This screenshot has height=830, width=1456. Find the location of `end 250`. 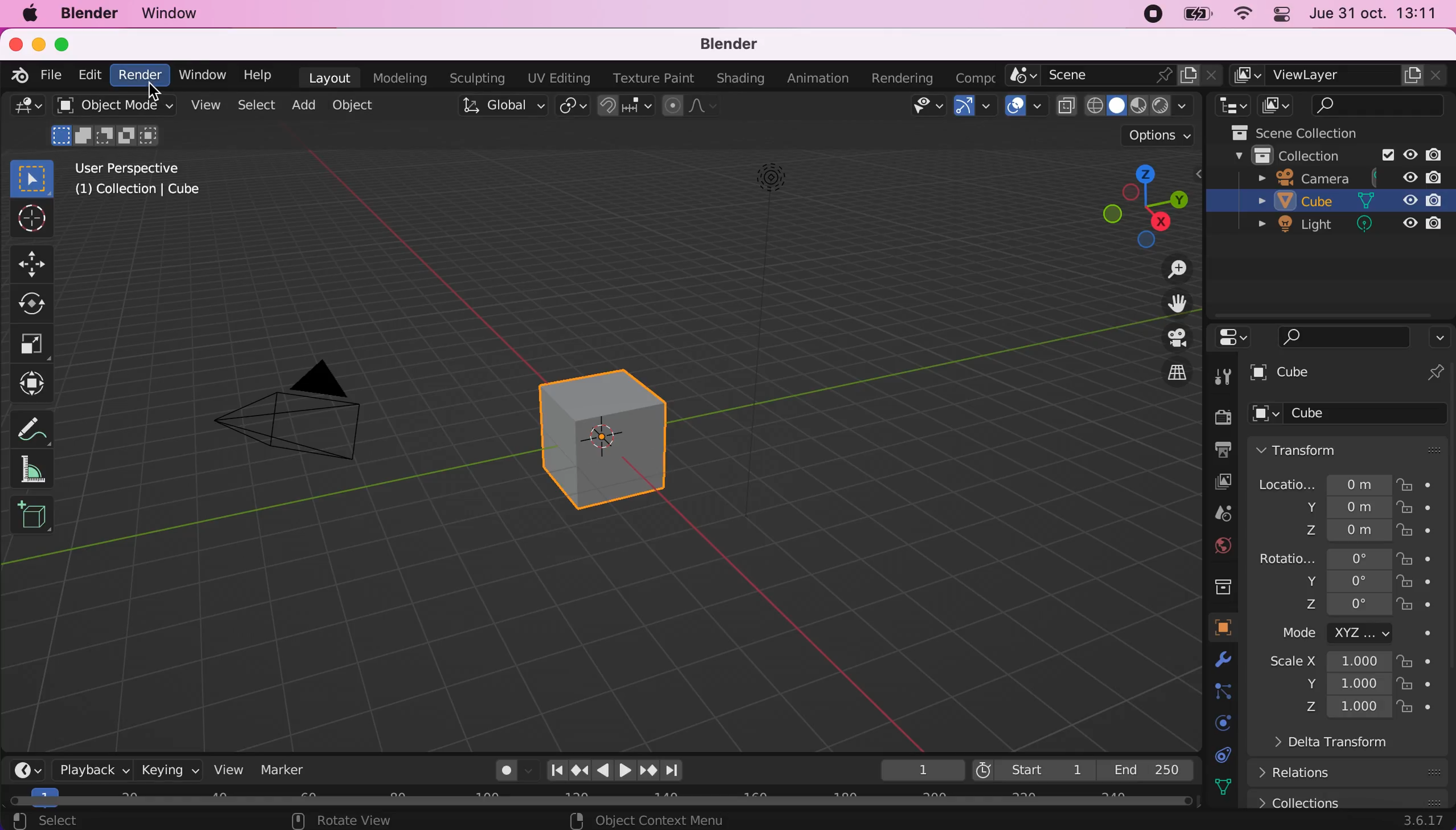

end 250 is located at coordinates (1152, 771).